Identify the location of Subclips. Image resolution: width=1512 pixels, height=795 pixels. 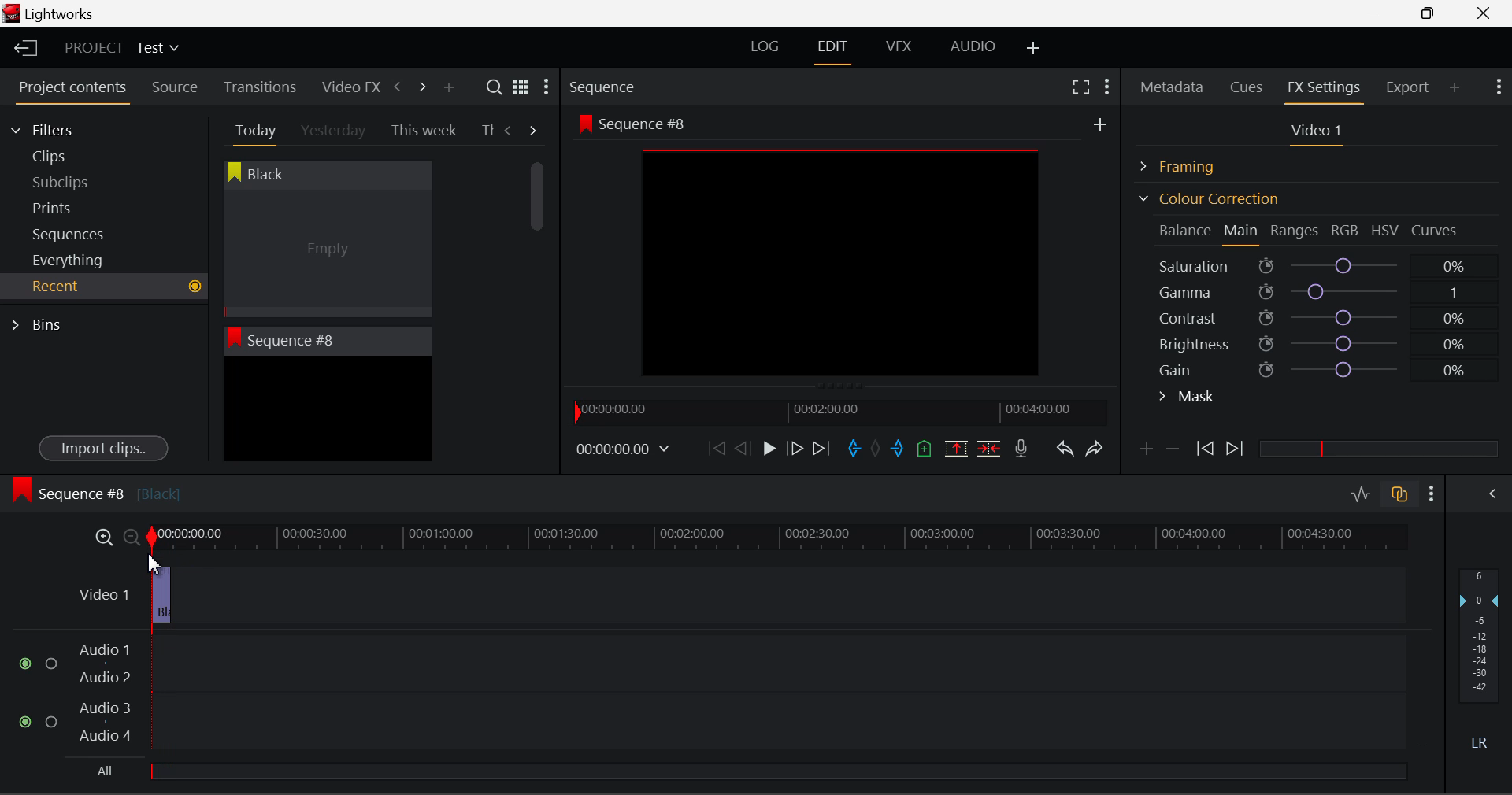
(76, 182).